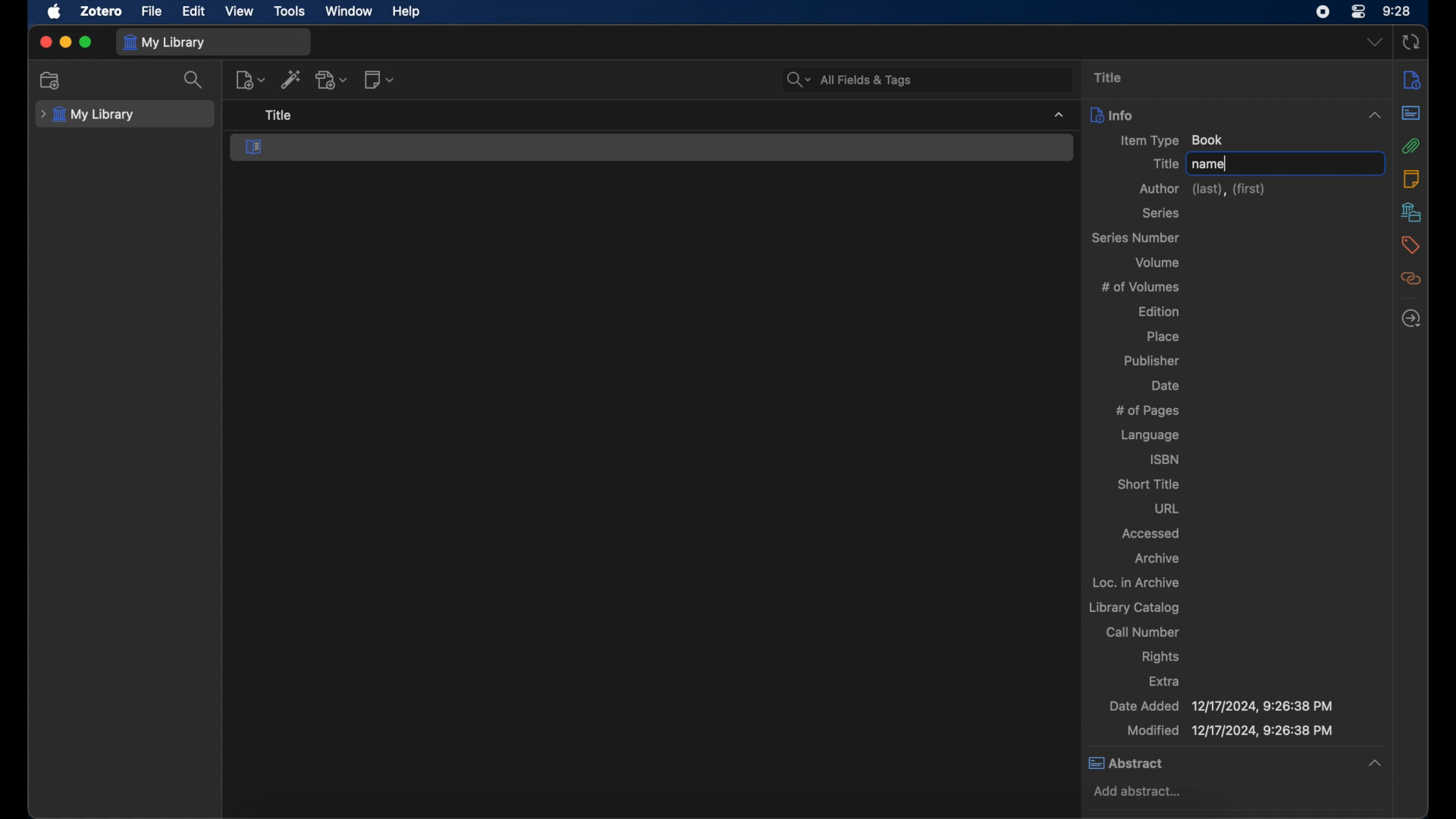 The image size is (1456, 819). Describe the element at coordinates (164, 42) in the screenshot. I see `my library` at that location.